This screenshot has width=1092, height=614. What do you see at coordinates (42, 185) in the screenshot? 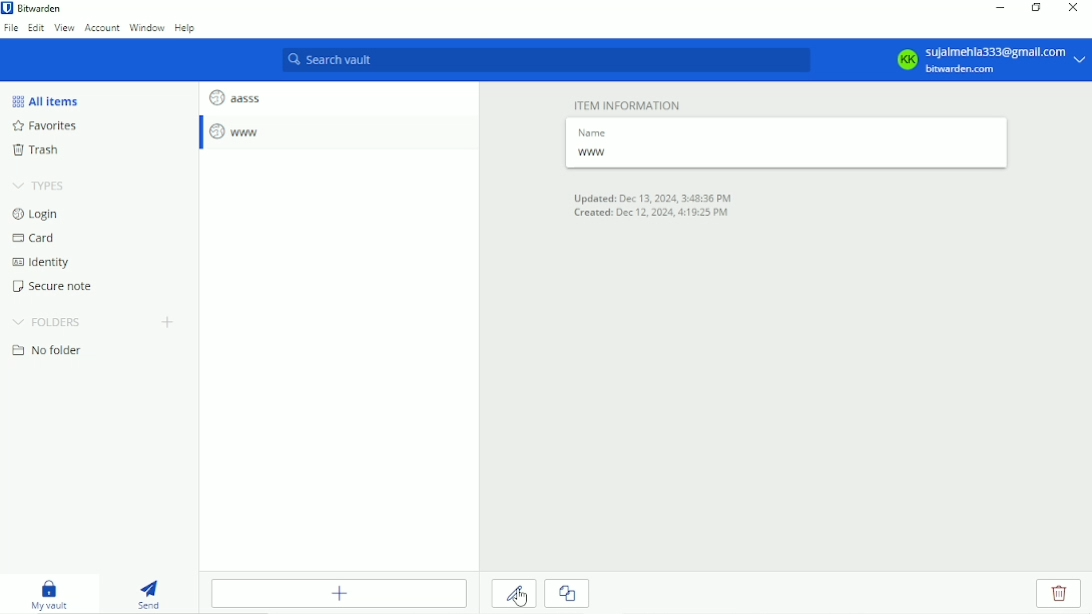
I see `Types` at bounding box center [42, 185].